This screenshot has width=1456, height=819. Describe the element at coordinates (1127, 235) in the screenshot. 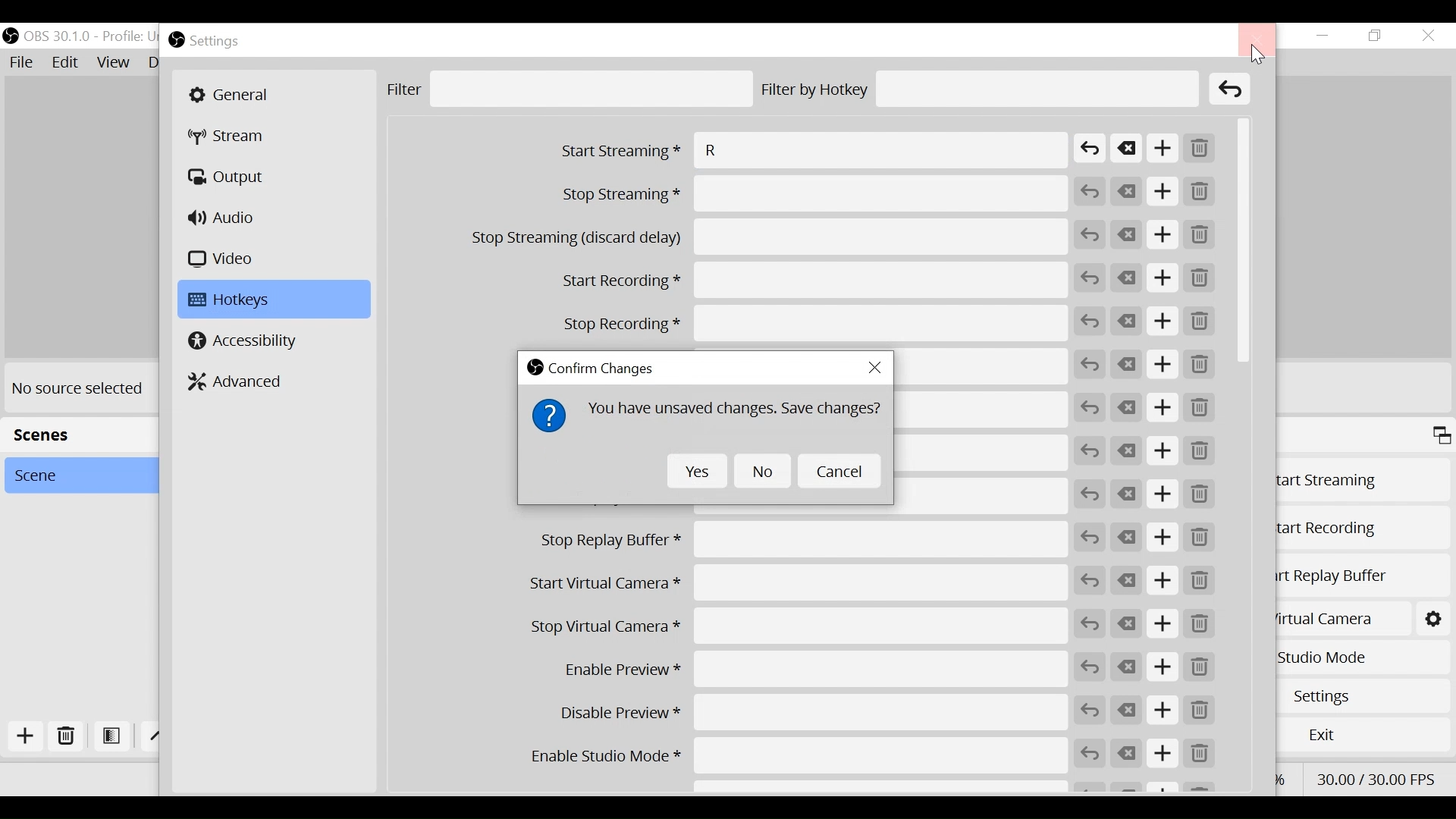

I see `Clear` at that location.